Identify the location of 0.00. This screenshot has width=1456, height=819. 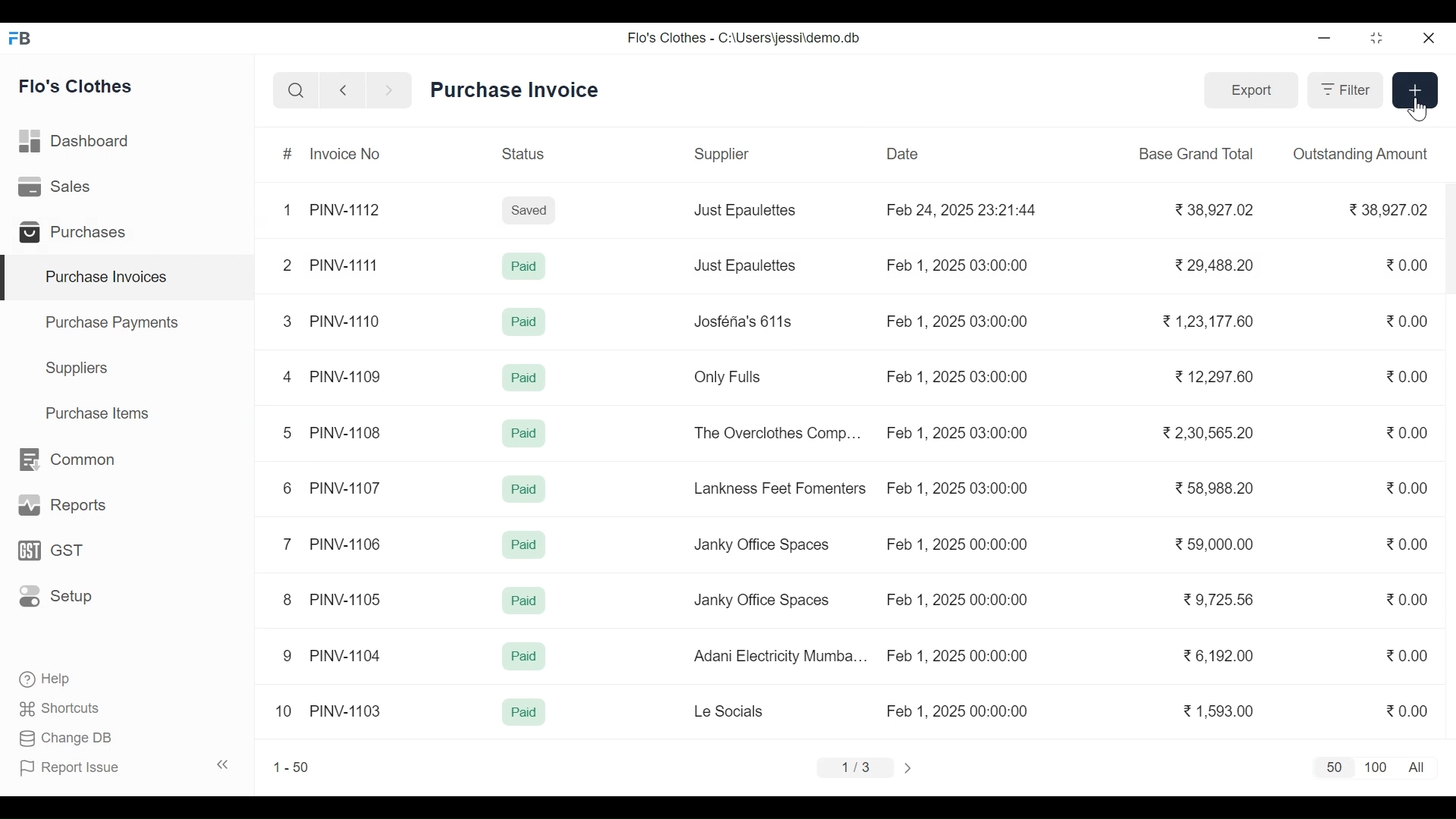
(1409, 265).